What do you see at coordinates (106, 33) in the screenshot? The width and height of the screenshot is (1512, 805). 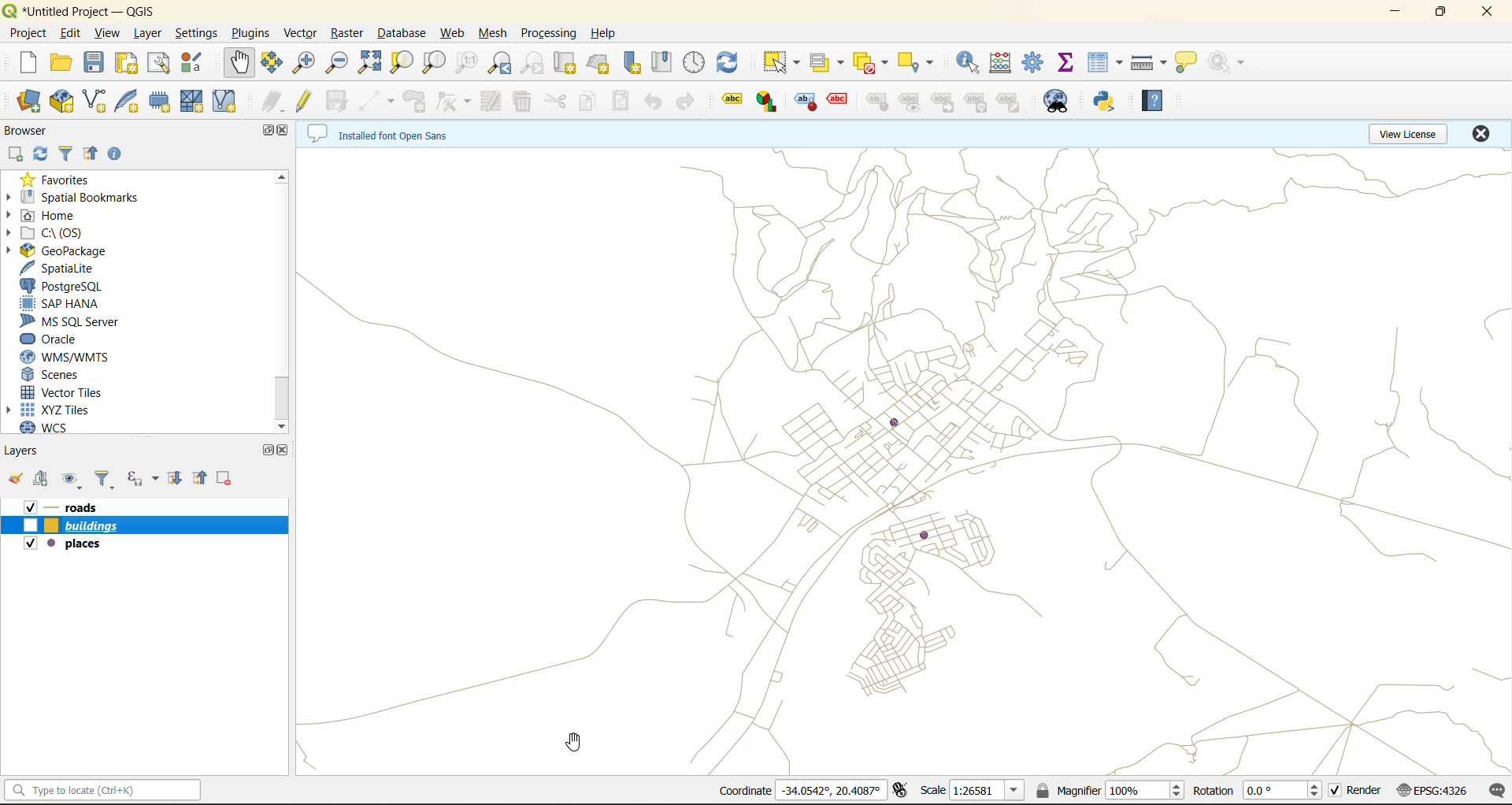 I see `view` at bounding box center [106, 33].